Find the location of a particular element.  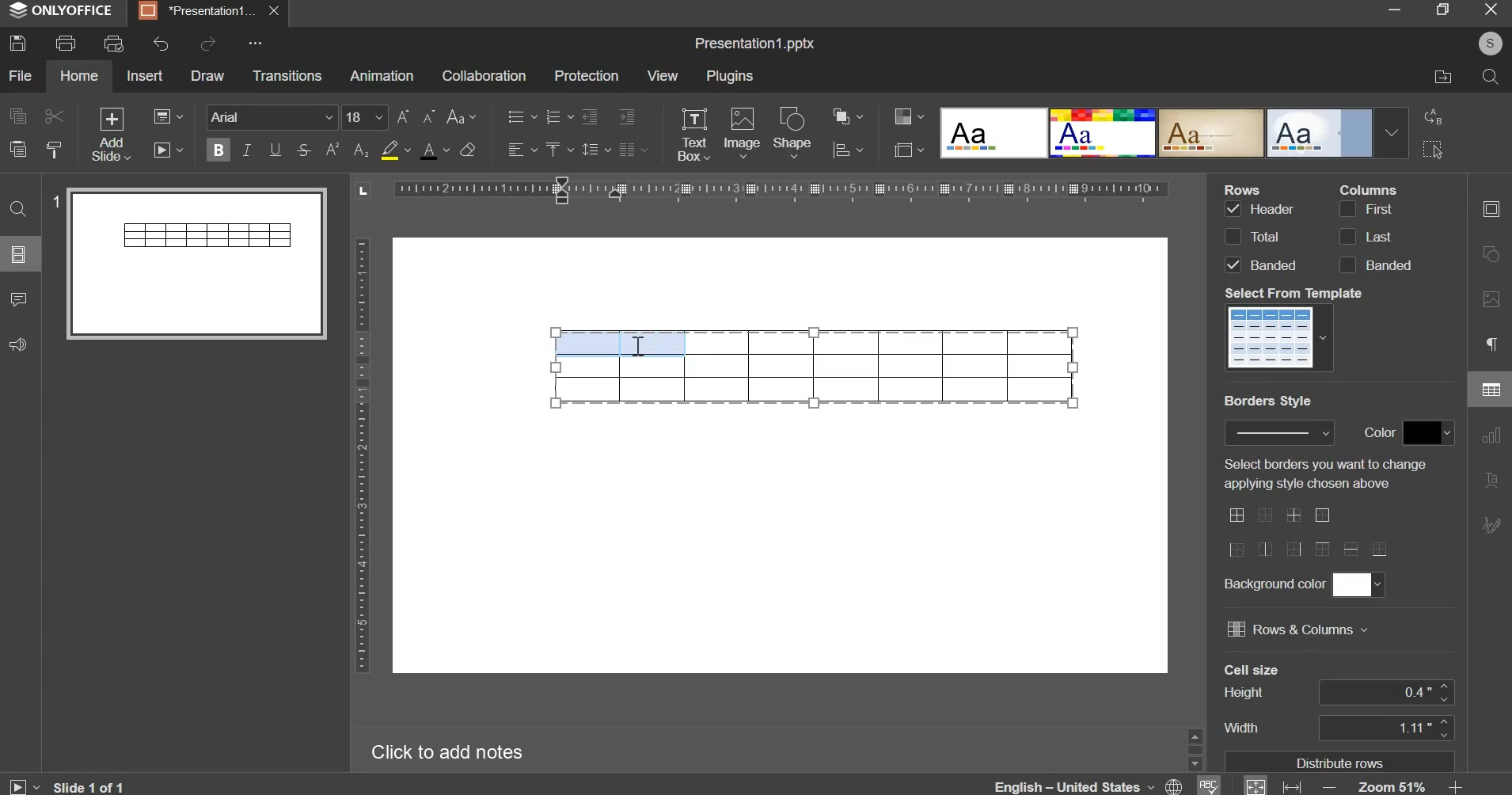

arrange object is located at coordinates (847, 116).